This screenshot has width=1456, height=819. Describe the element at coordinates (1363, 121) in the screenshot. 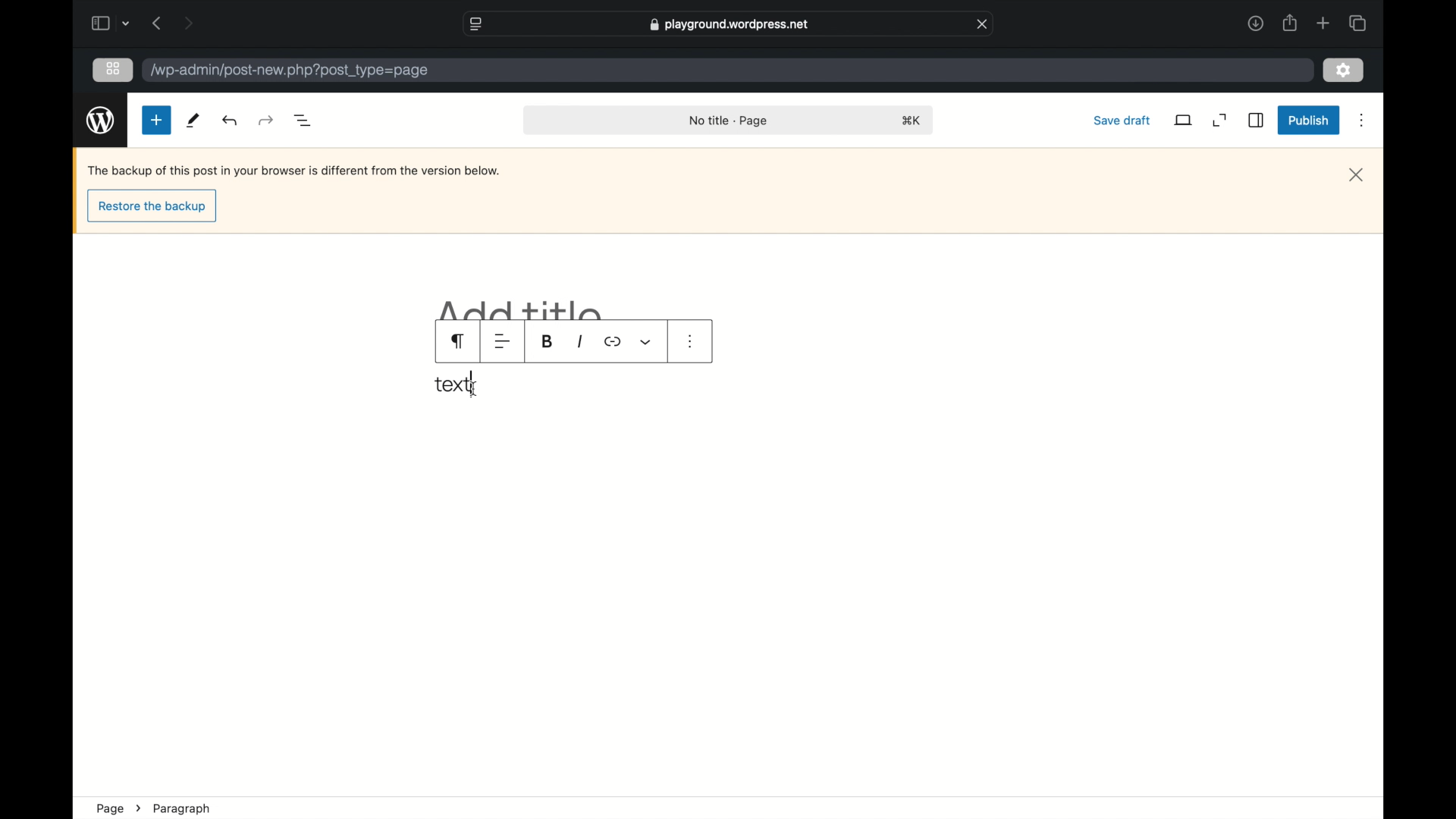

I see `more options` at that location.